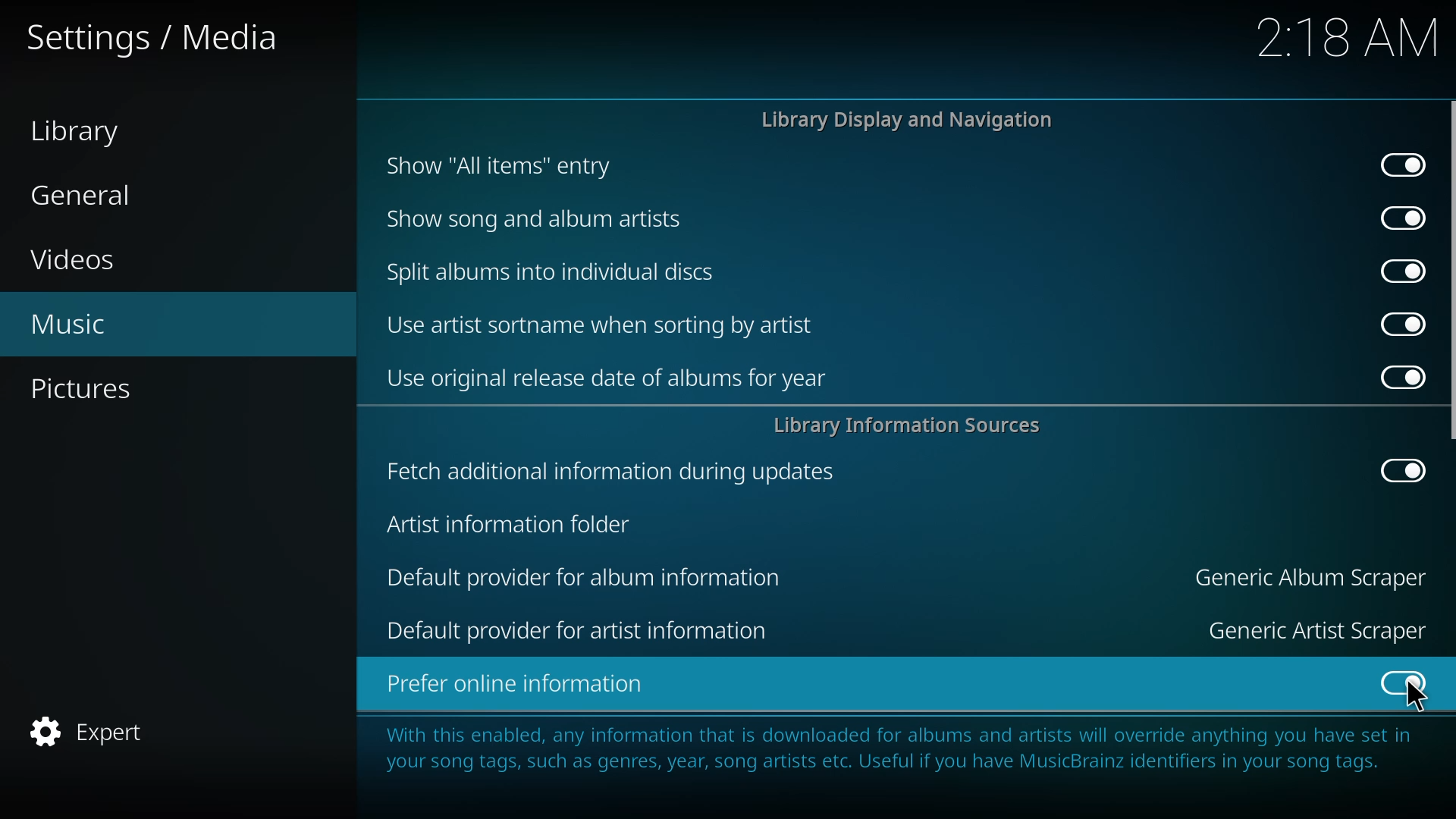 The width and height of the screenshot is (1456, 819). I want to click on videos, so click(80, 262).